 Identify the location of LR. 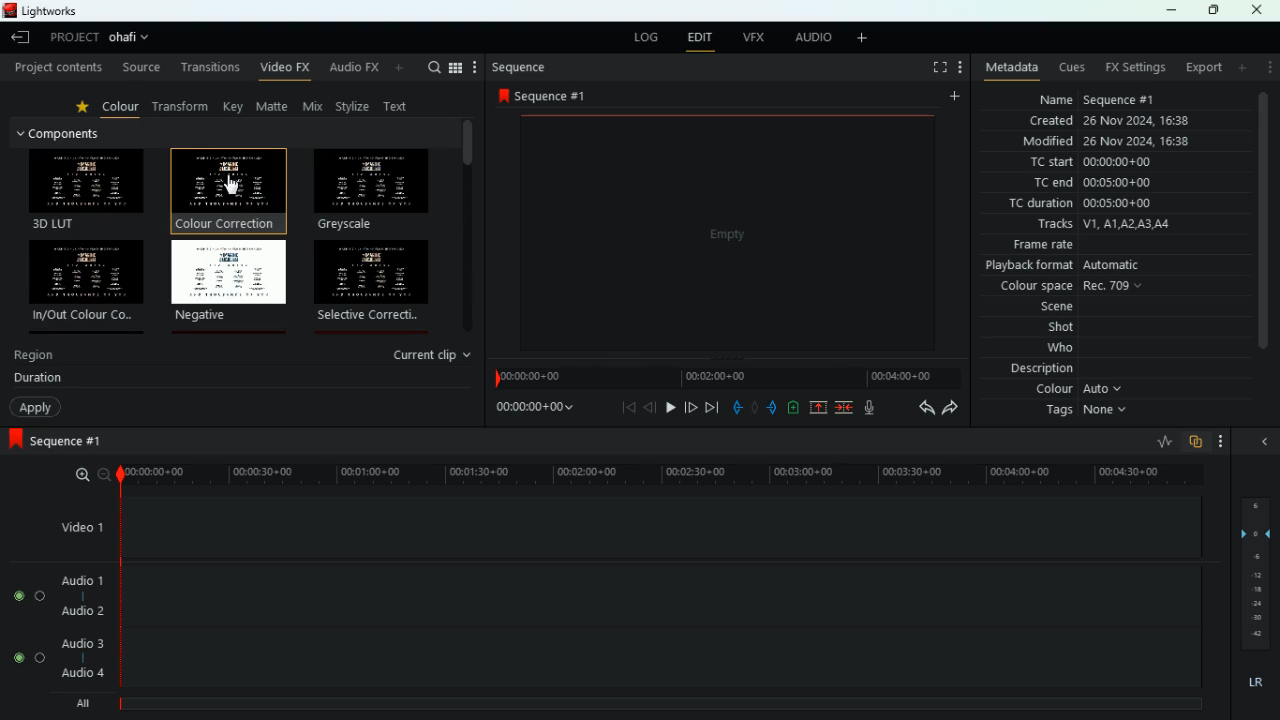
(1254, 683).